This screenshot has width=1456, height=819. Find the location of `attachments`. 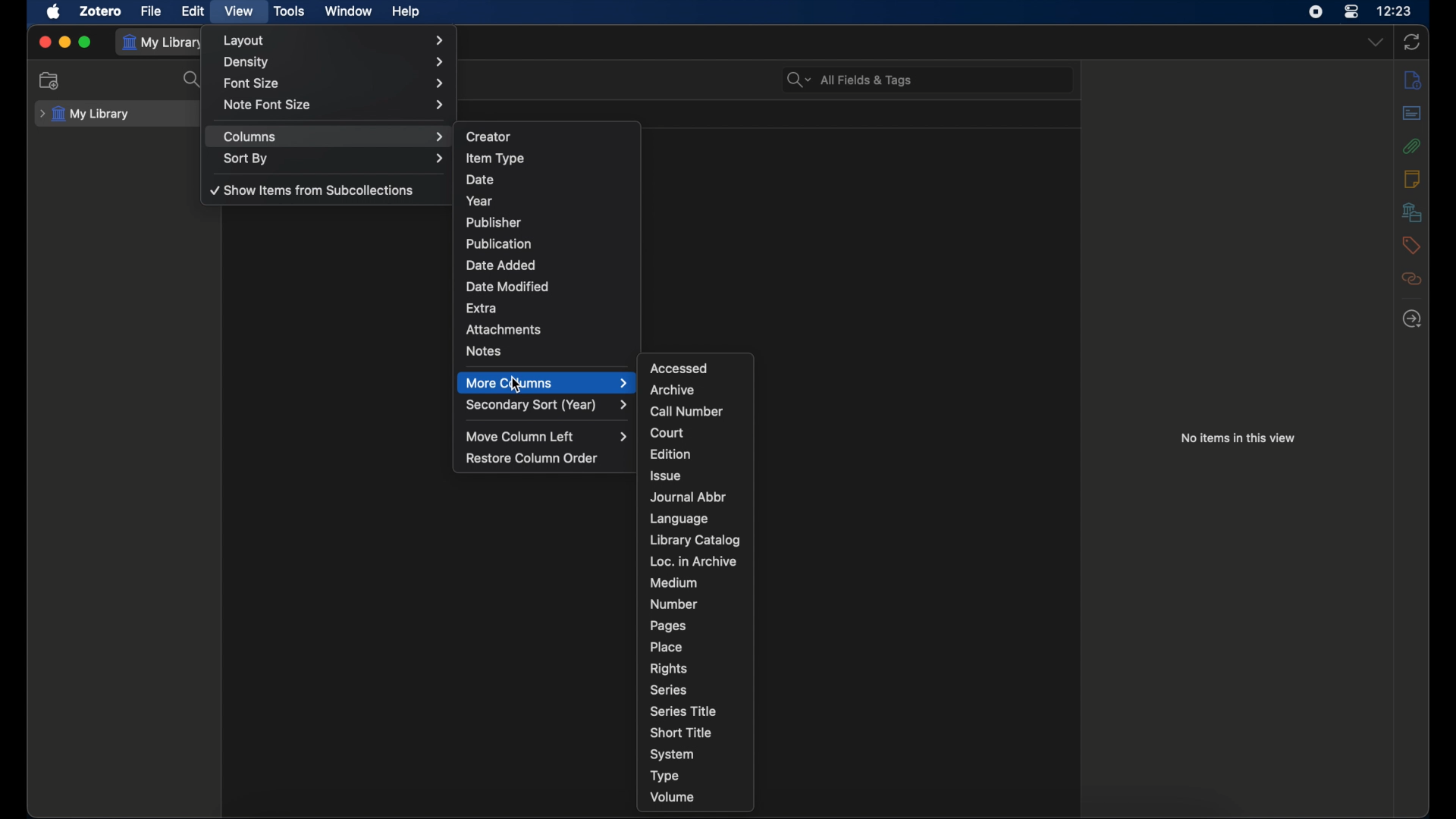

attachments is located at coordinates (505, 329).